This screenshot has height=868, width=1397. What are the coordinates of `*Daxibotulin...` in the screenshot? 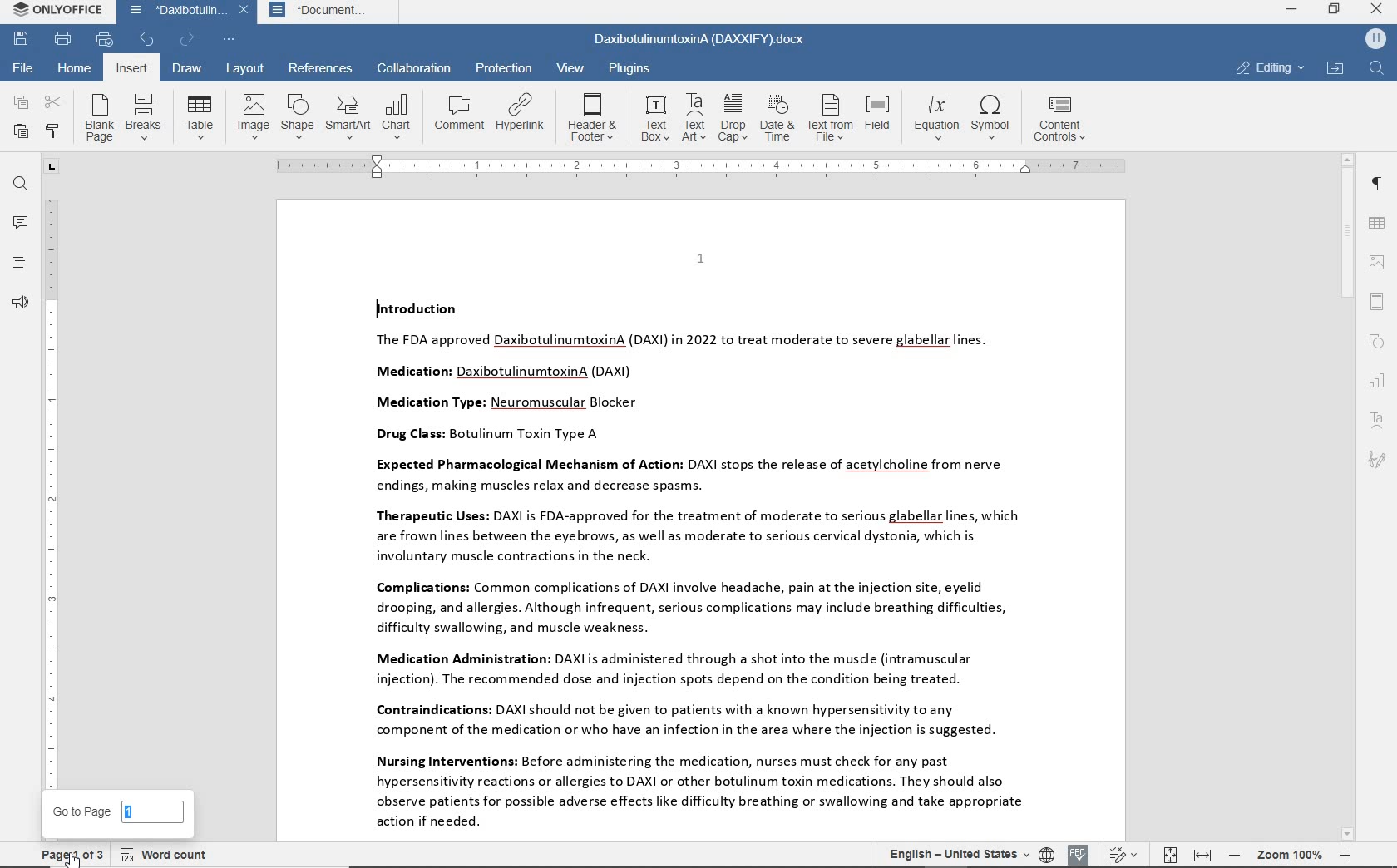 It's located at (173, 12).